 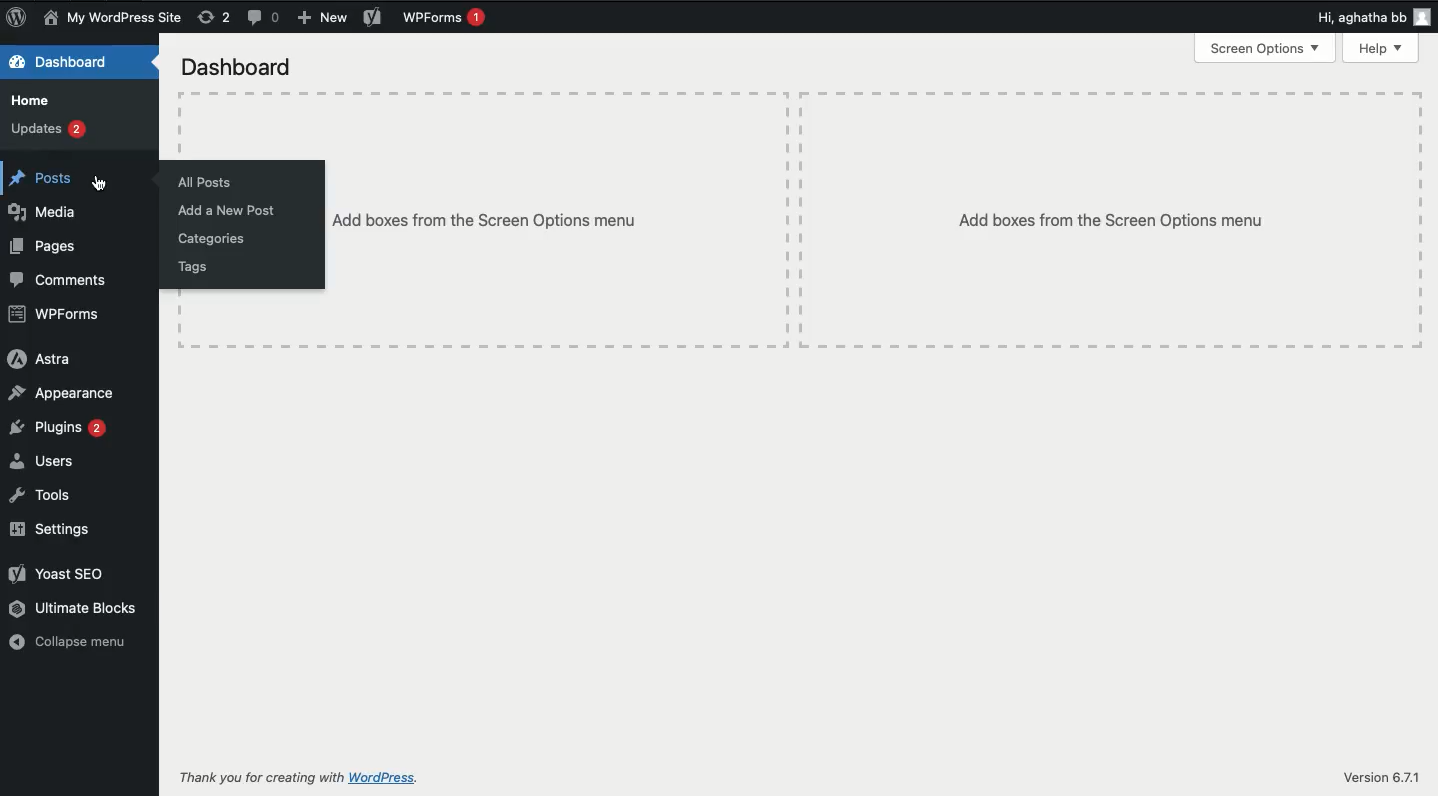 I want to click on Posts, so click(x=41, y=179).